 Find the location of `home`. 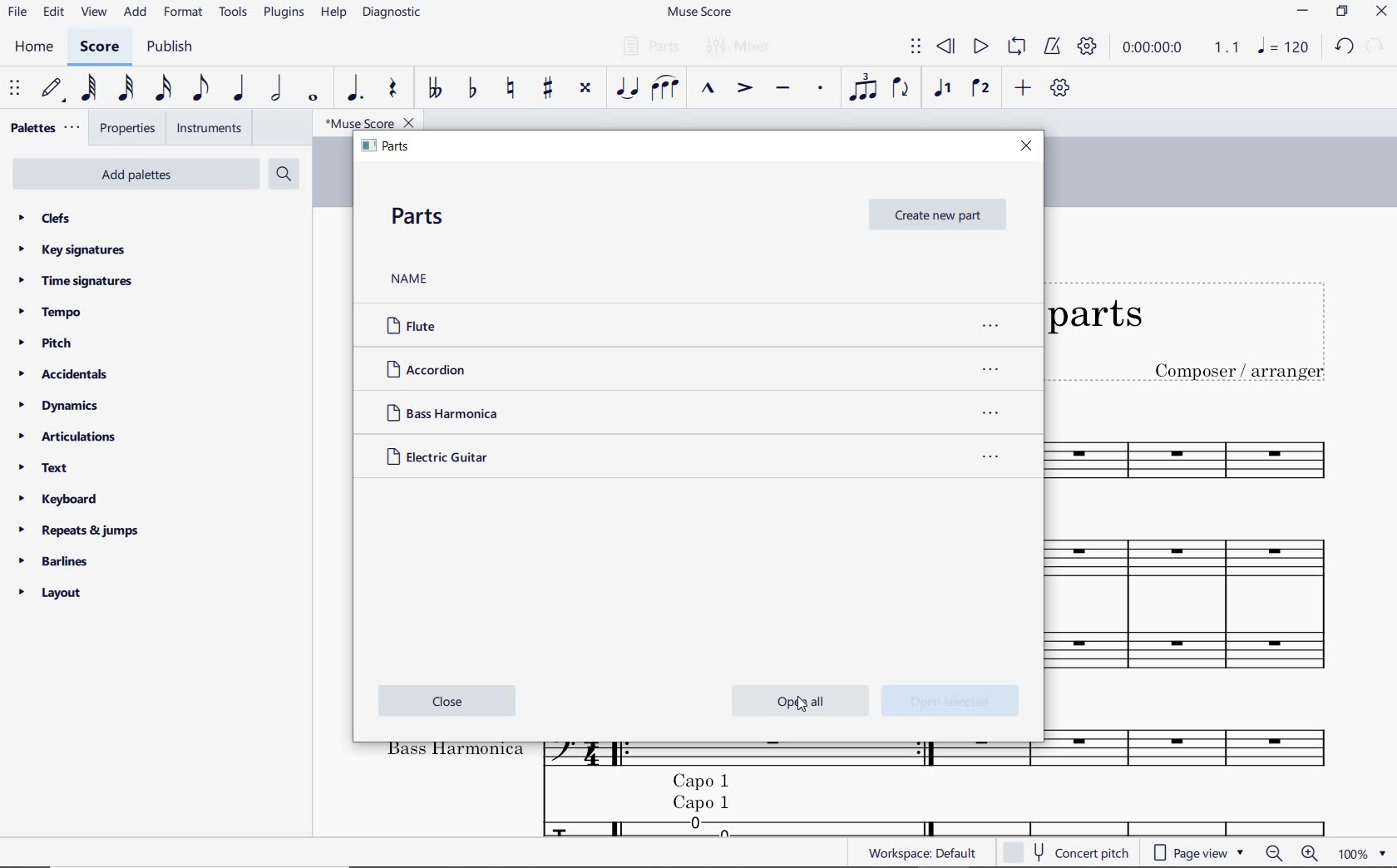

home is located at coordinates (37, 47).